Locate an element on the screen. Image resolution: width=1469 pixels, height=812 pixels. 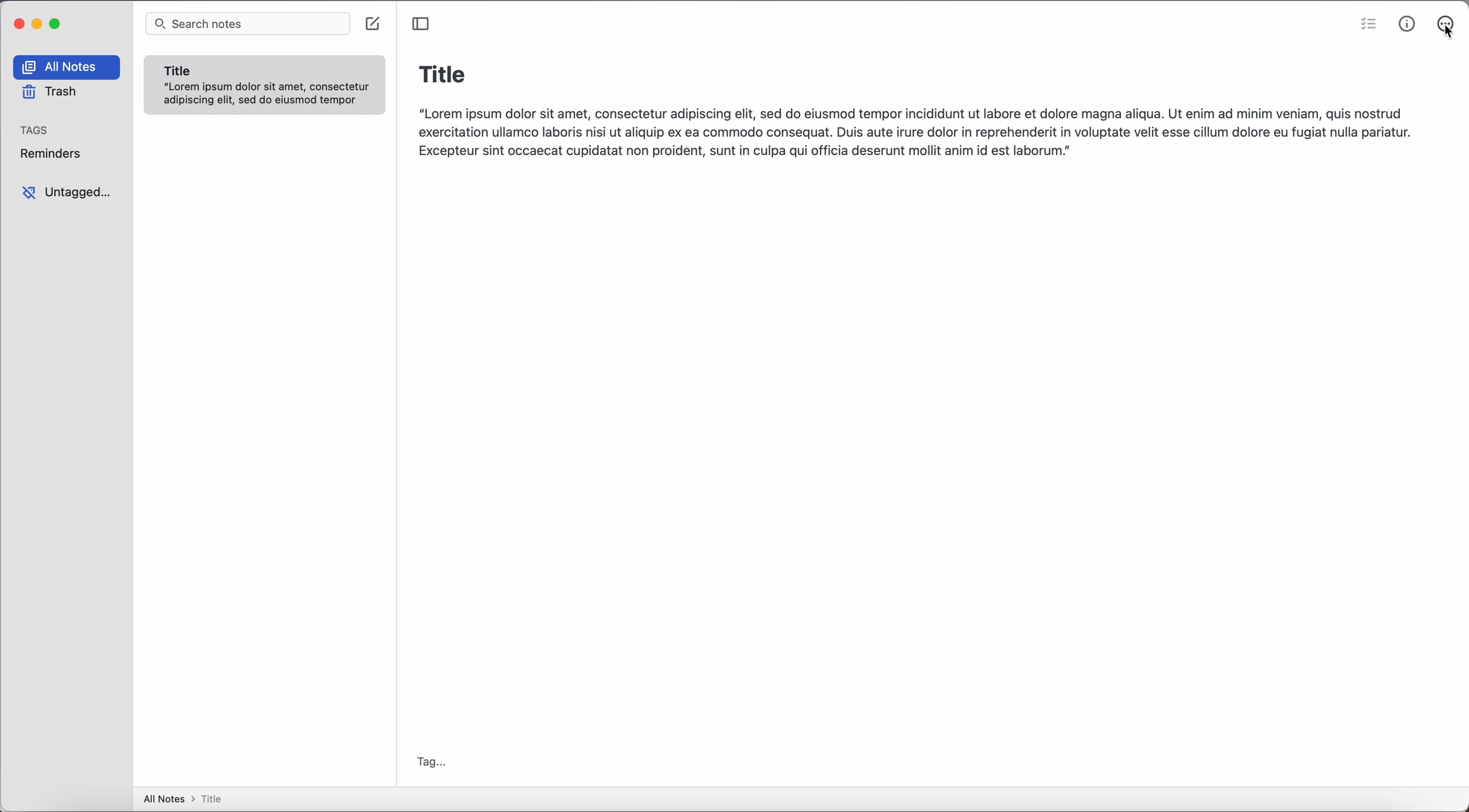
search bar is located at coordinates (248, 25).